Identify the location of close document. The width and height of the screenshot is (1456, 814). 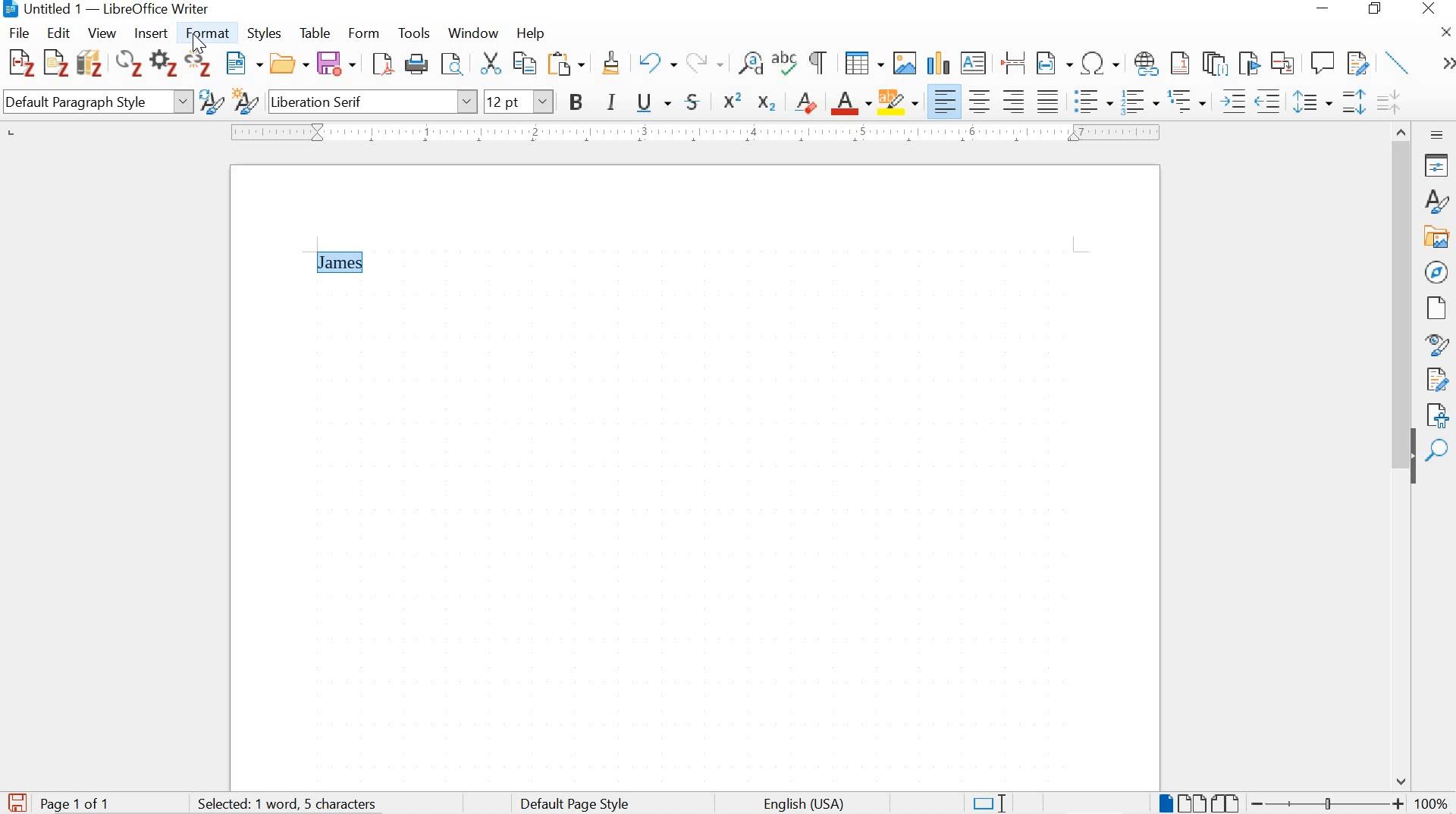
(1446, 31).